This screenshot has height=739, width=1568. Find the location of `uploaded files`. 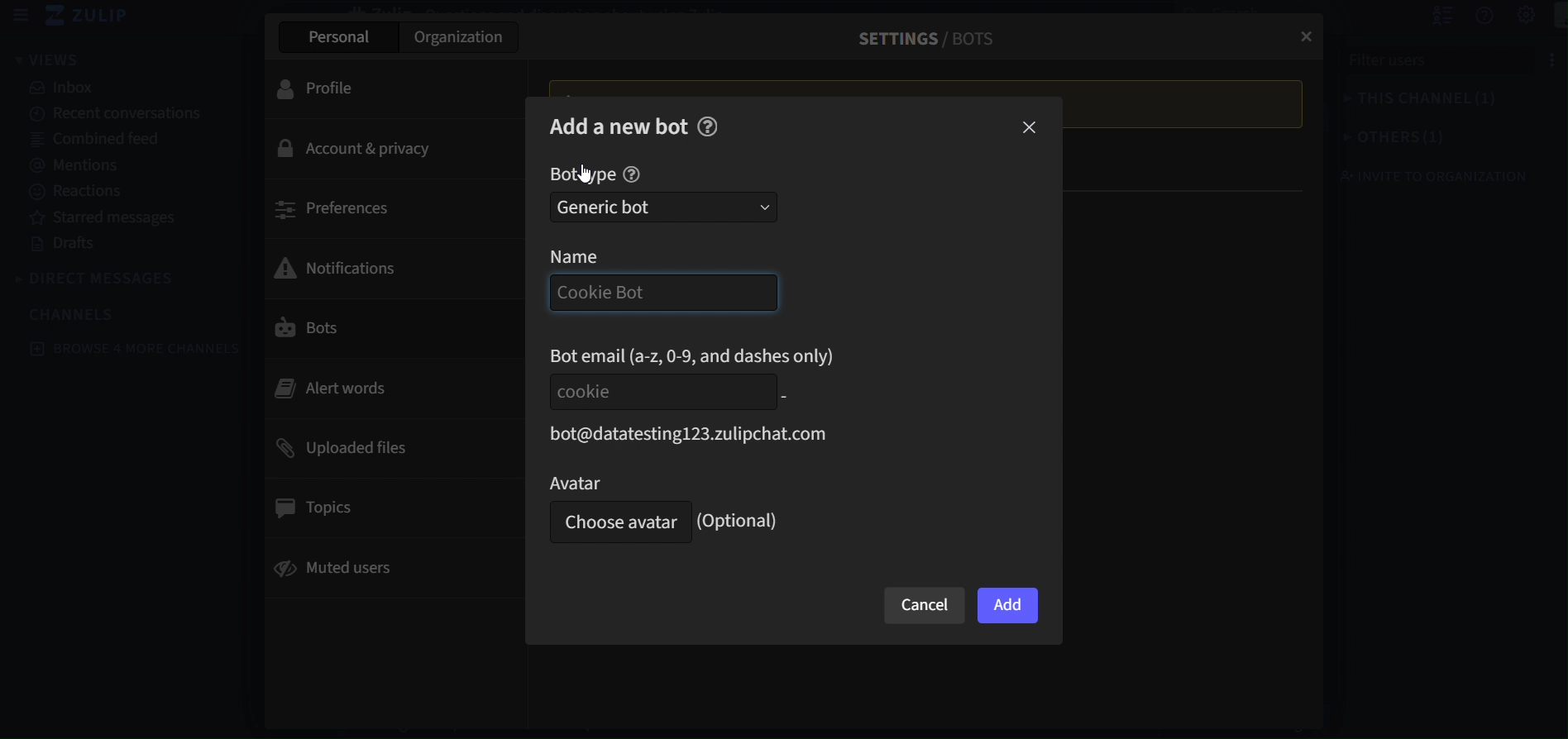

uploaded files is located at coordinates (377, 446).